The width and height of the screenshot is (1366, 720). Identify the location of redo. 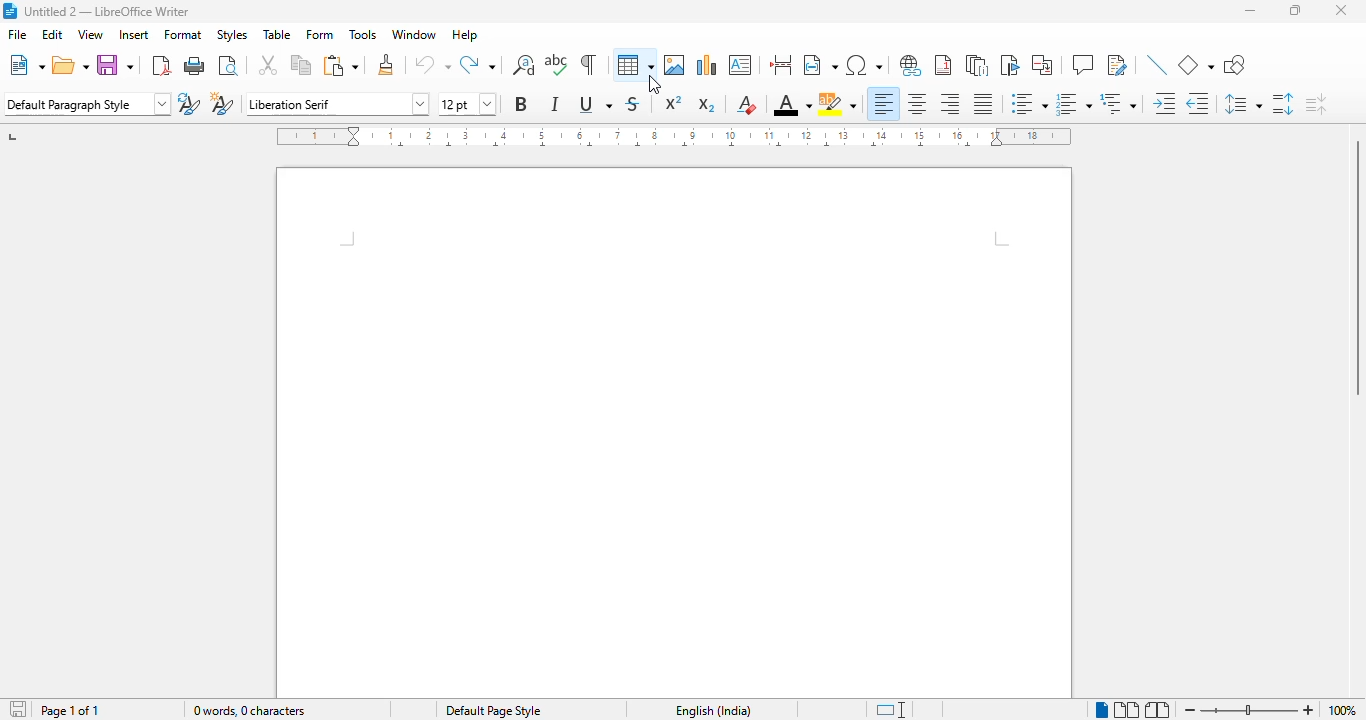
(478, 64).